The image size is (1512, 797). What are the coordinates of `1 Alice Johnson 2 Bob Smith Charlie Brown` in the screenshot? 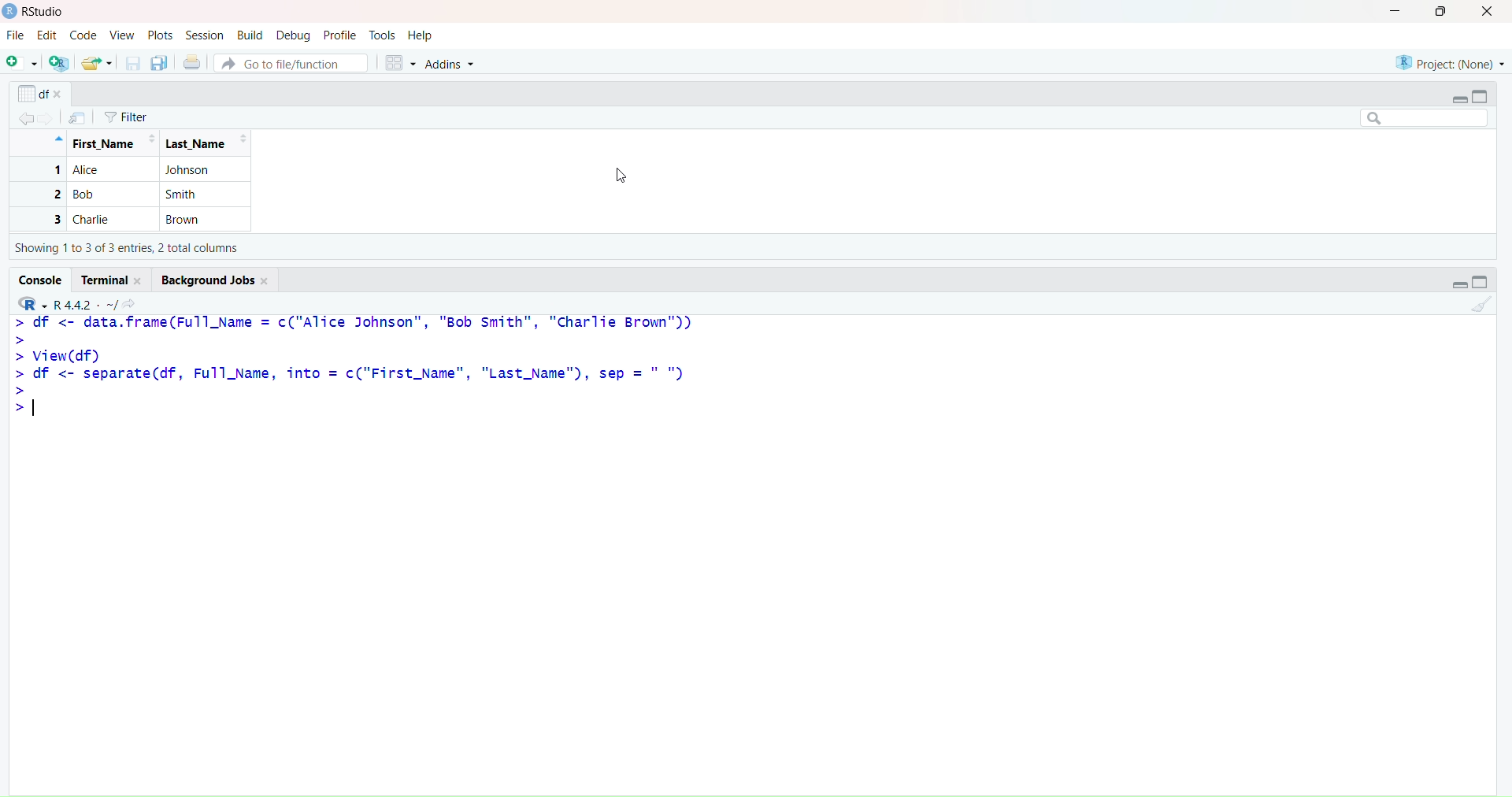 It's located at (131, 197).